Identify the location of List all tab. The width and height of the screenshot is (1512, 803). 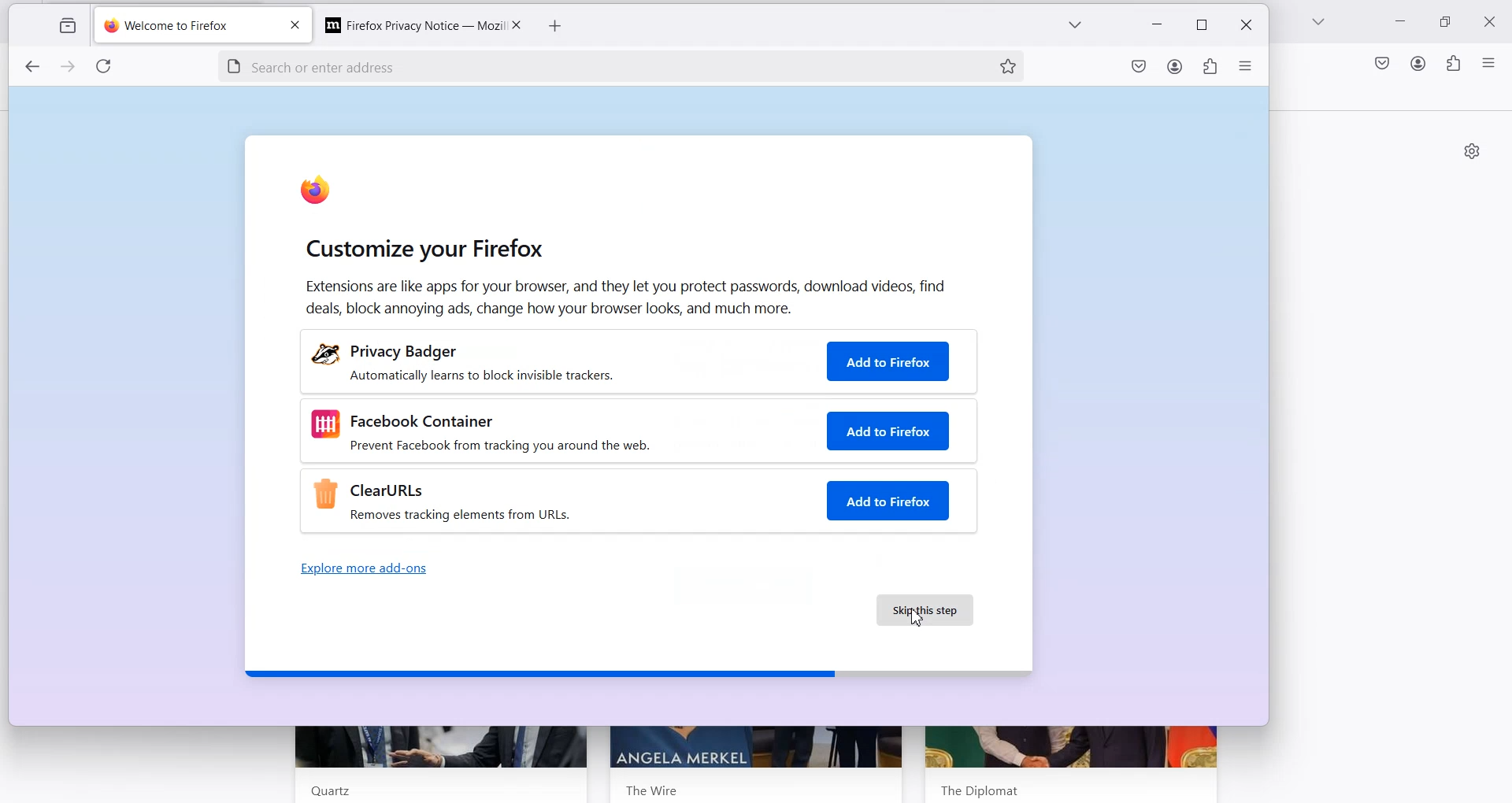
(1319, 23).